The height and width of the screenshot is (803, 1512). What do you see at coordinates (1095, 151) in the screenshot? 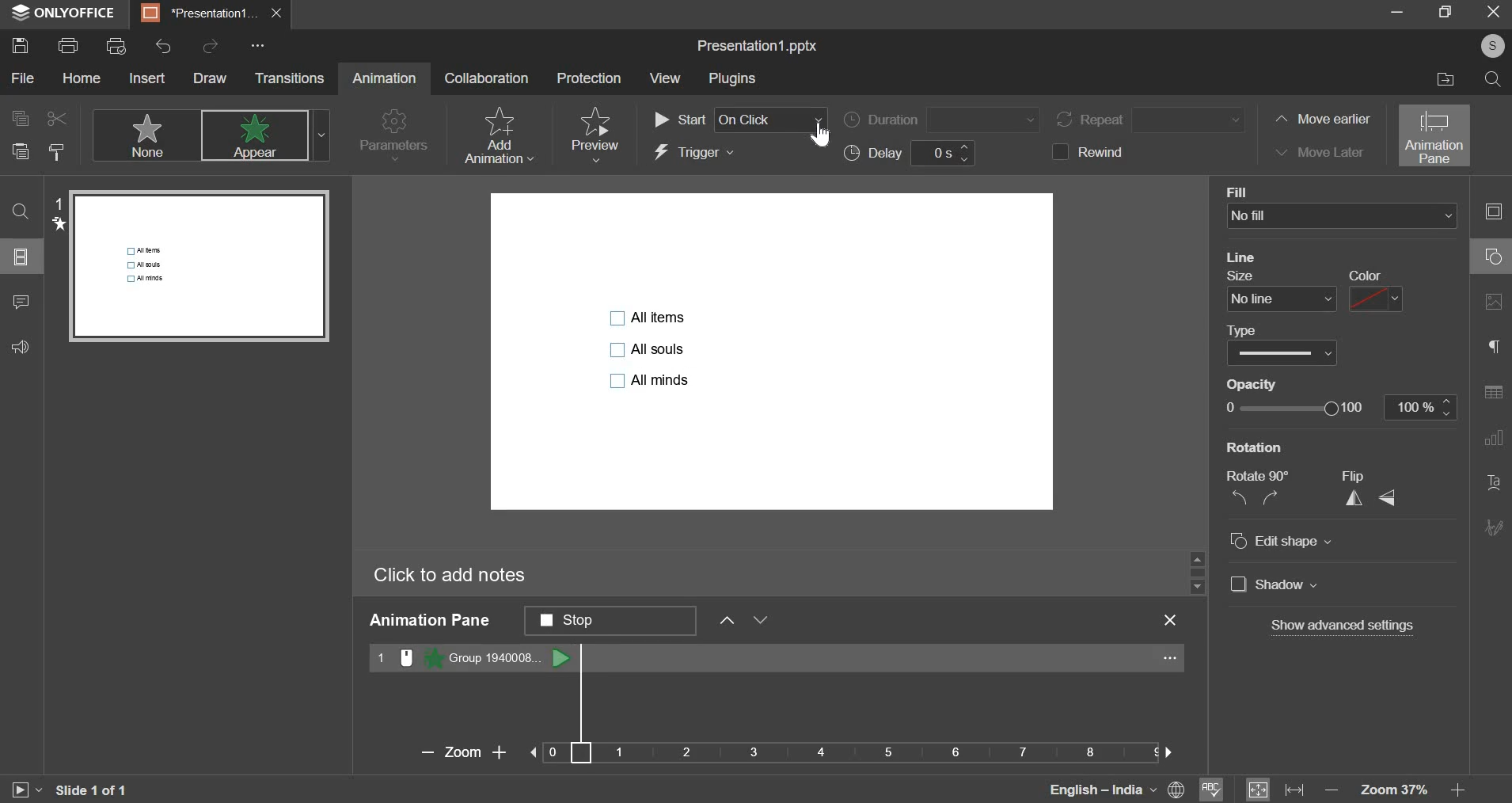
I see `rewind` at bounding box center [1095, 151].